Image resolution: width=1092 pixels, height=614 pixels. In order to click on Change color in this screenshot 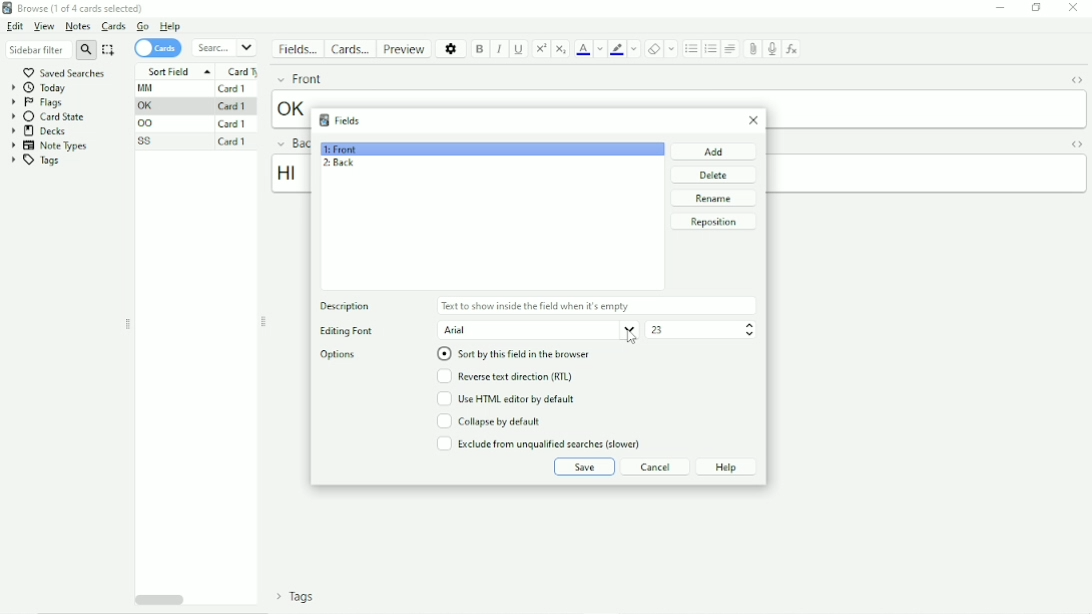, I will do `click(600, 49)`.